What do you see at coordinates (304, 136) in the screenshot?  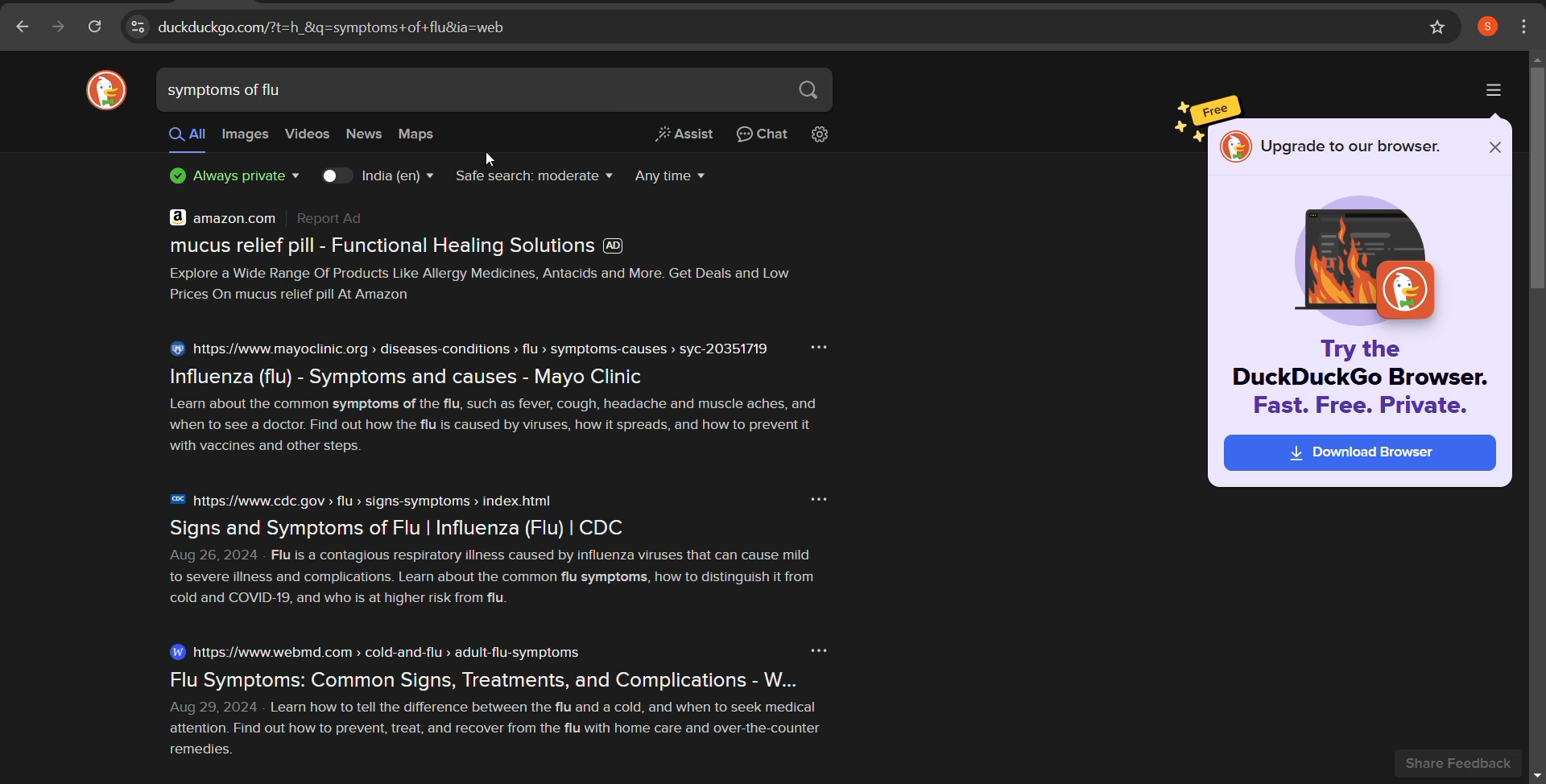 I see `videos` at bounding box center [304, 136].